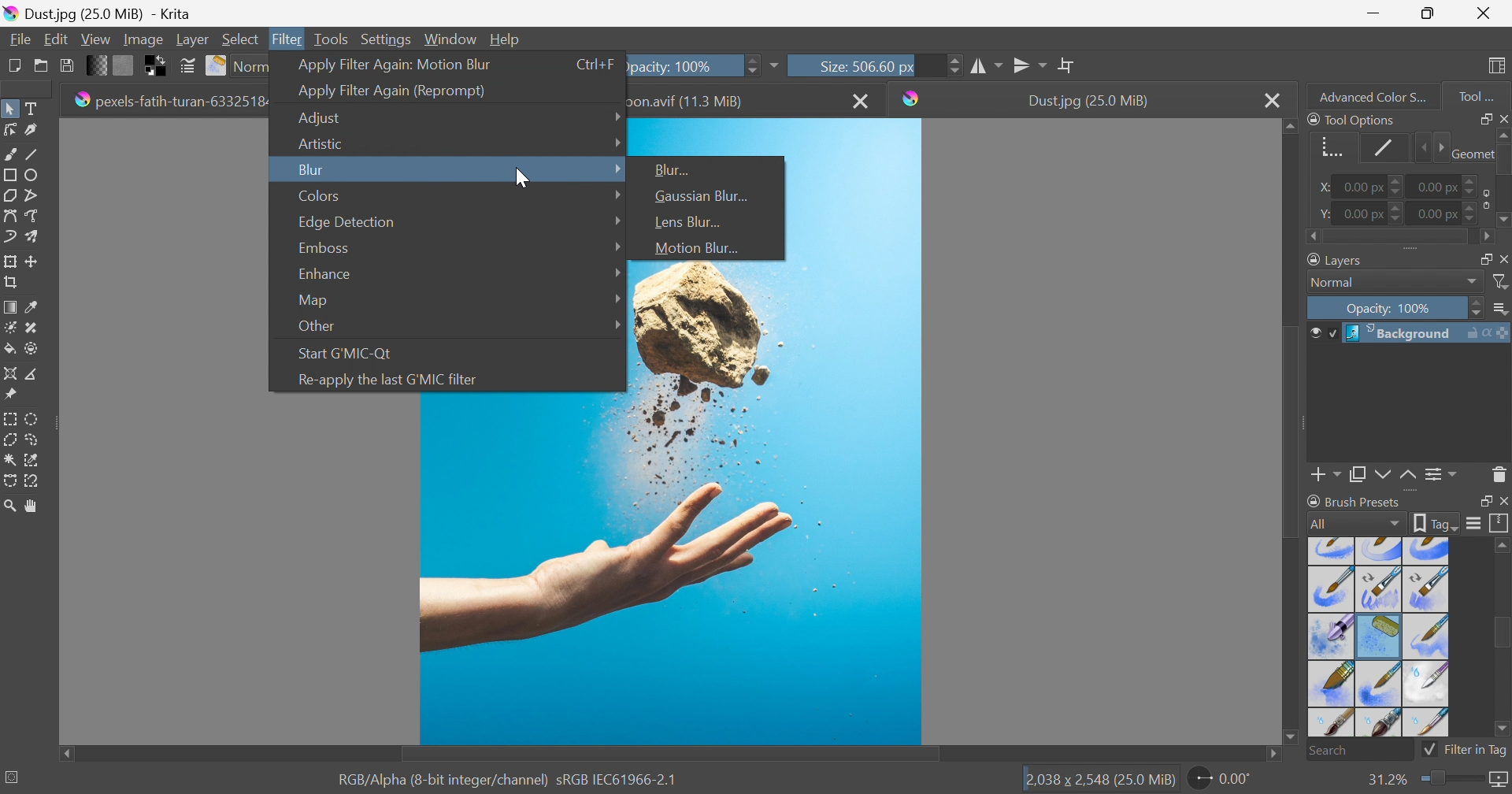 The width and height of the screenshot is (1512, 794). What do you see at coordinates (670, 755) in the screenshot?
I see `Scroll Bar` at bounding box center [670, 755].